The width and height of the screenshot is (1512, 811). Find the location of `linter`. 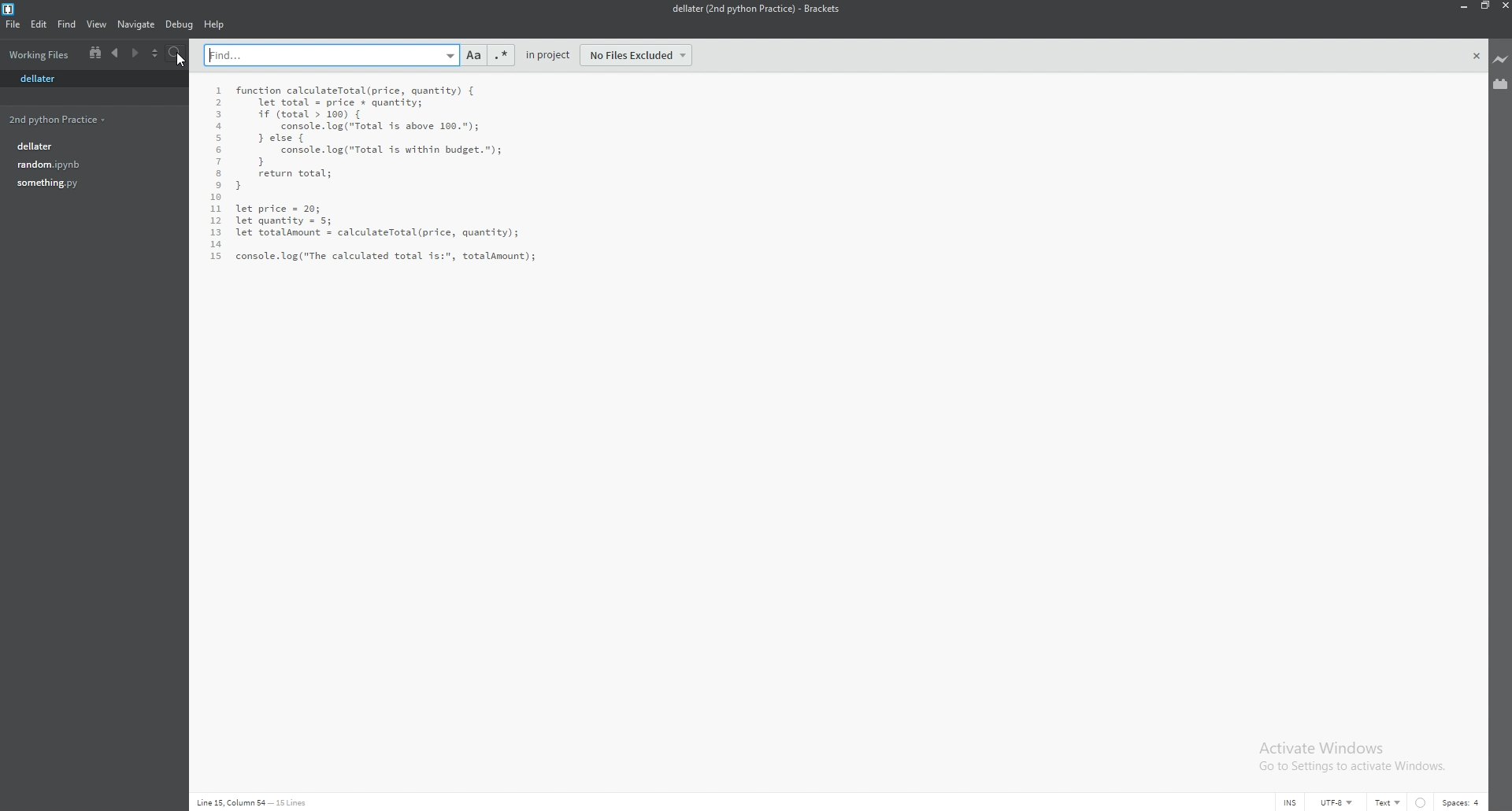

linter is located at coordinates (1421, 802).